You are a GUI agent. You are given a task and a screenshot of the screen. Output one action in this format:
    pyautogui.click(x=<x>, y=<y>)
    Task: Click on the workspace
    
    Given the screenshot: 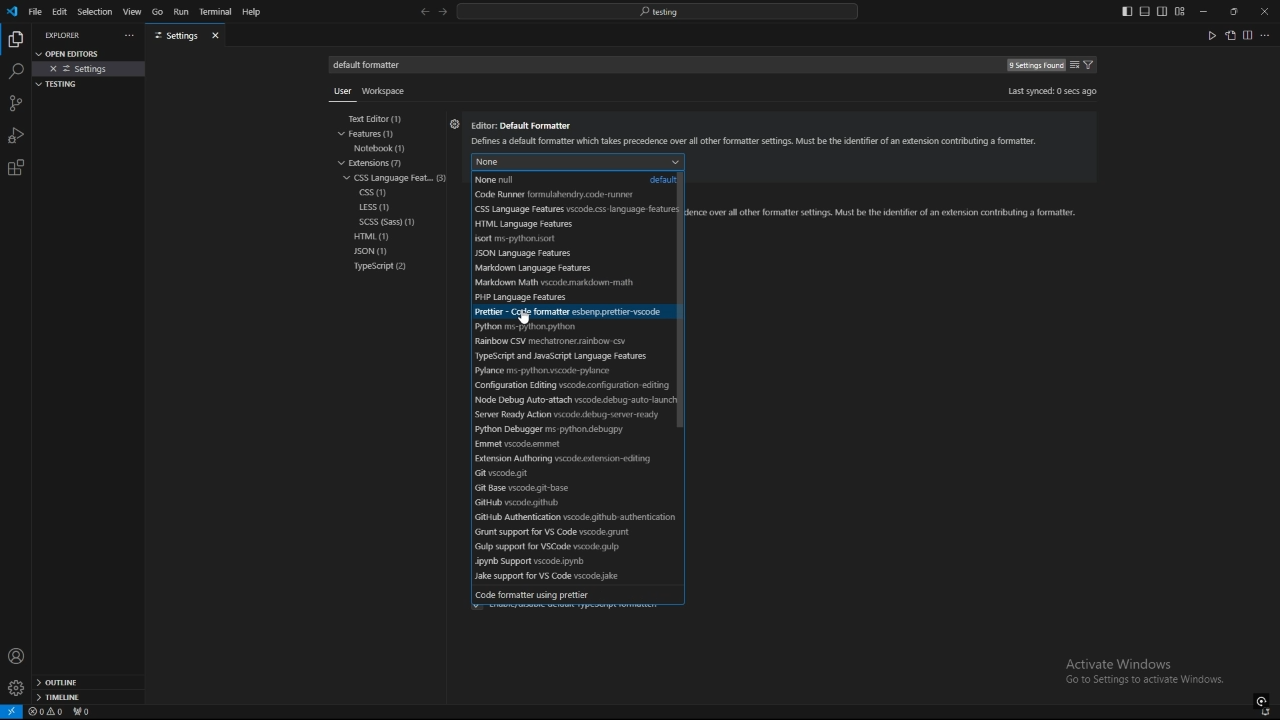 What is the action you would take?
    pyautogui.click(x=388, y=89)
    